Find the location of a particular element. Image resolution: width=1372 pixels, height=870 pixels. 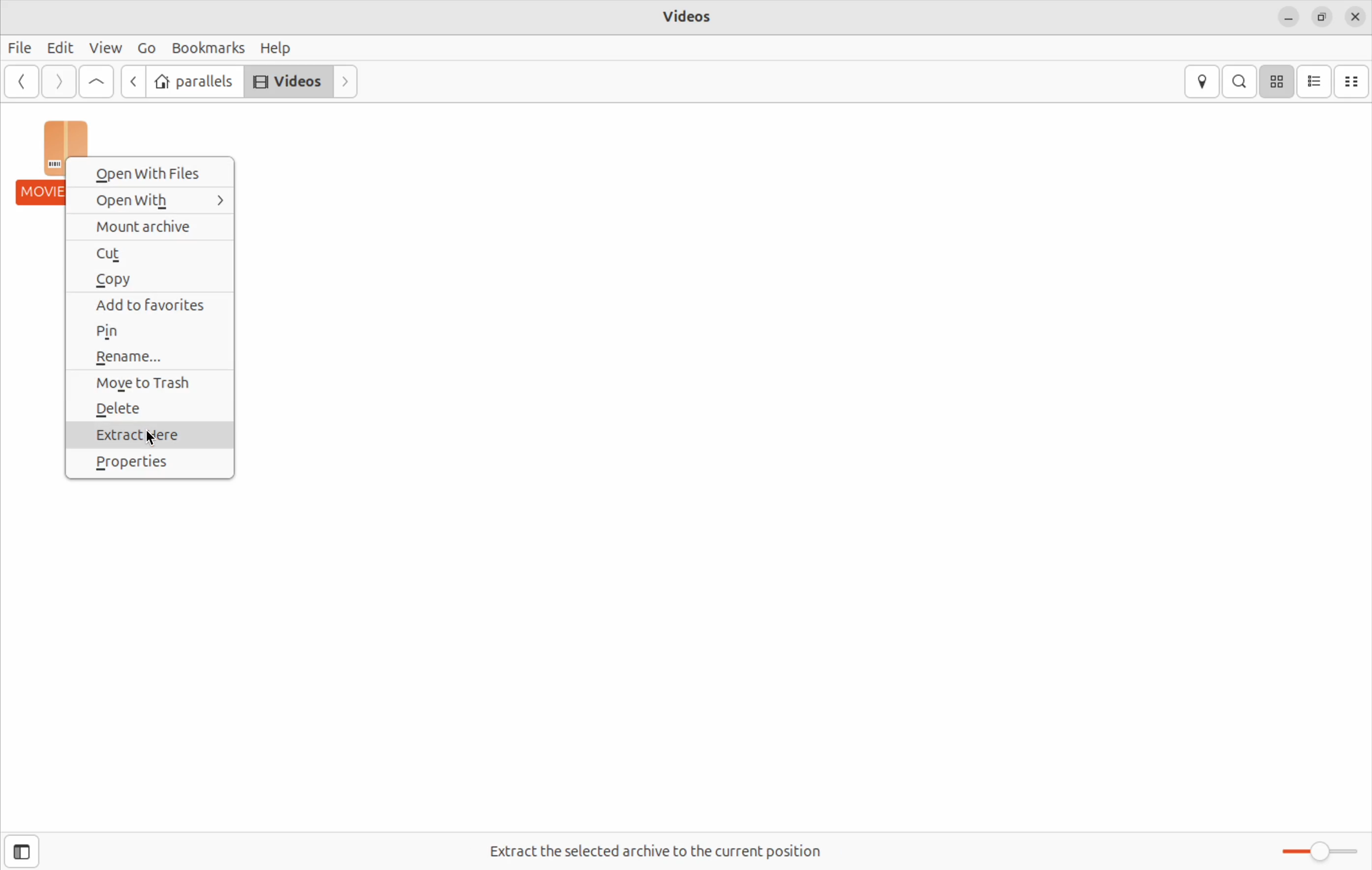

zip file is located at coordinates (40, 162).